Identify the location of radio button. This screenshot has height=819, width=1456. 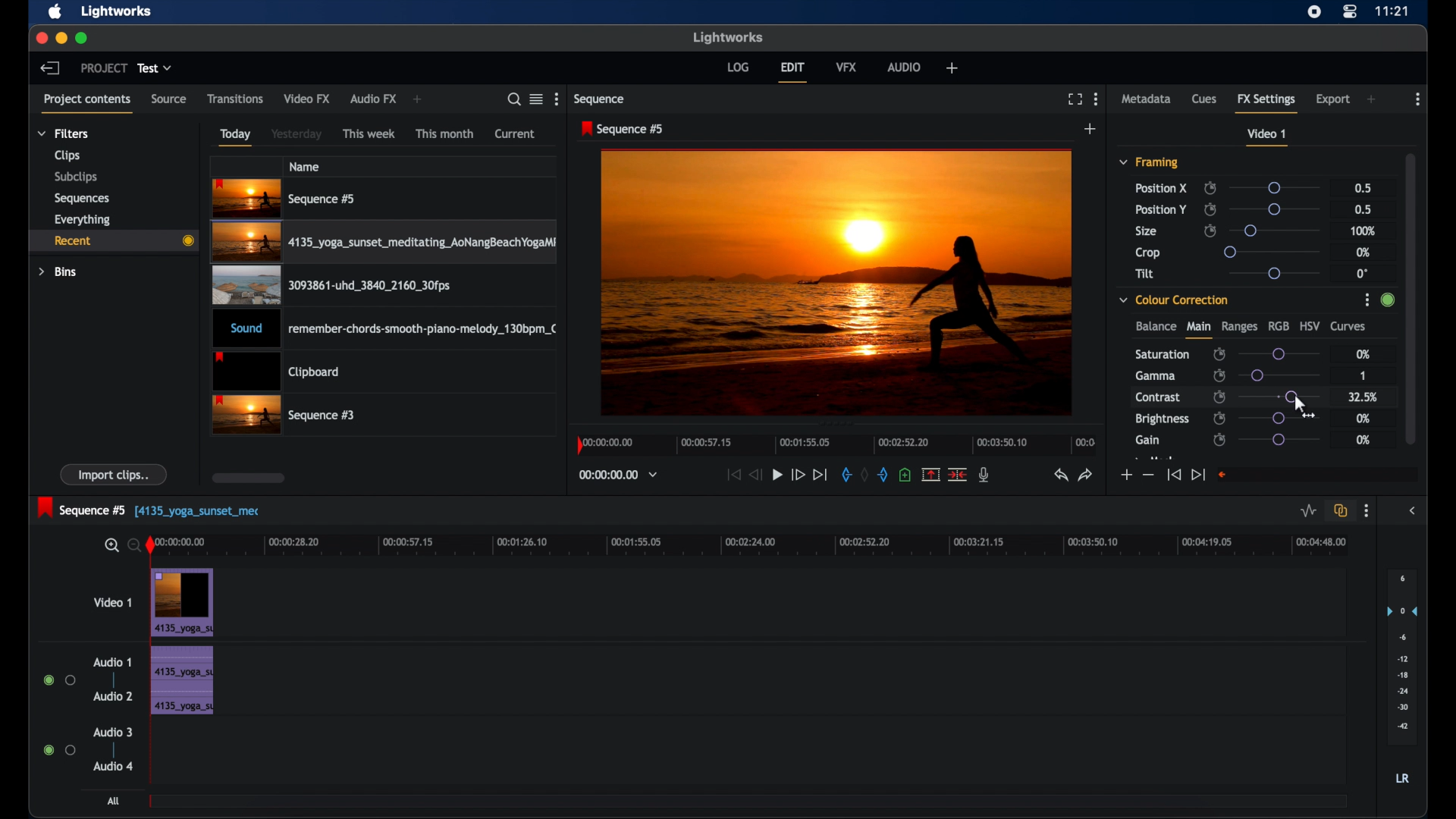
(59, 749).